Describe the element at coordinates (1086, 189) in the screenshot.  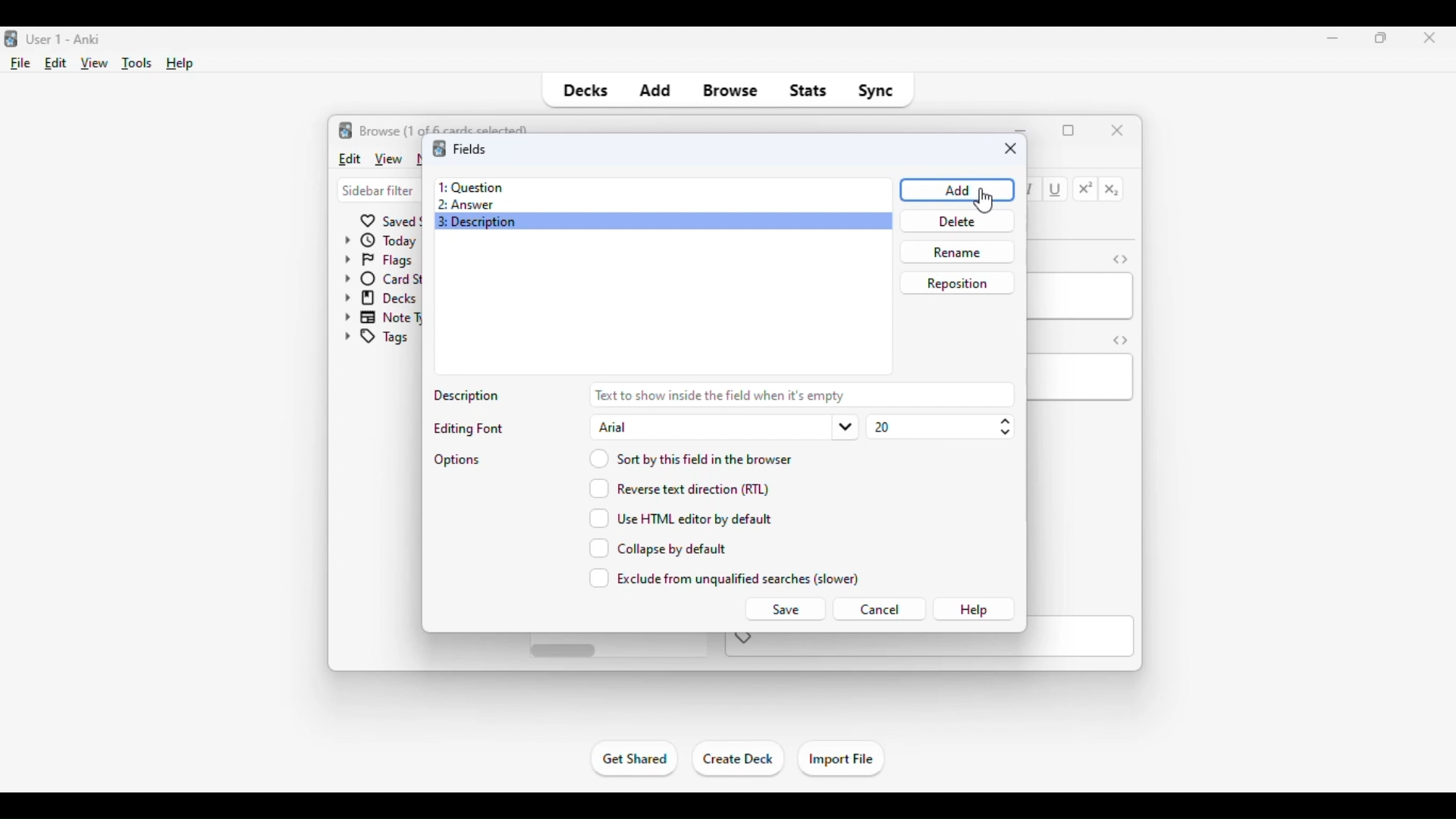
I see `superscript` at that location.